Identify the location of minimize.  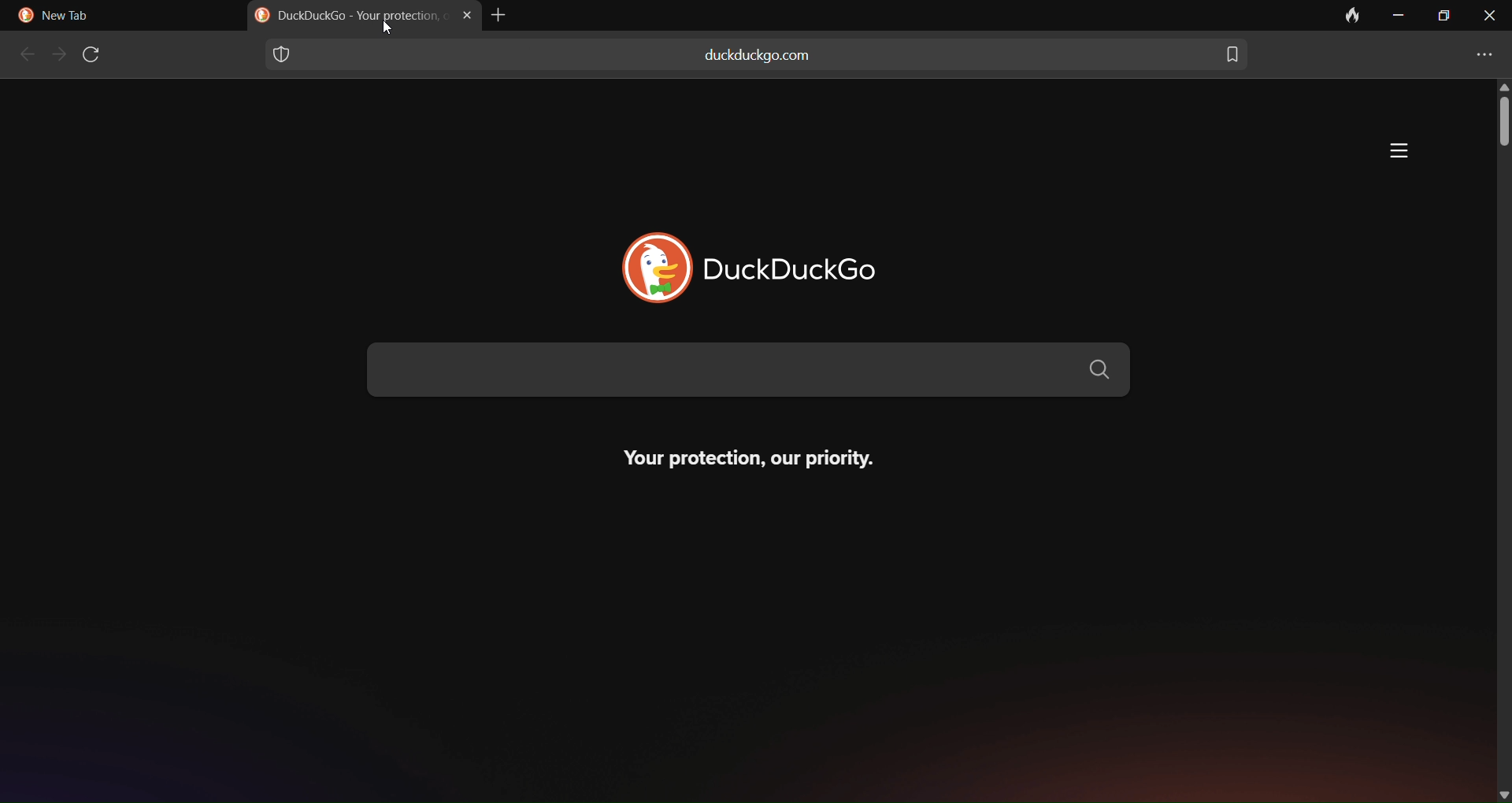
(1401, 16).